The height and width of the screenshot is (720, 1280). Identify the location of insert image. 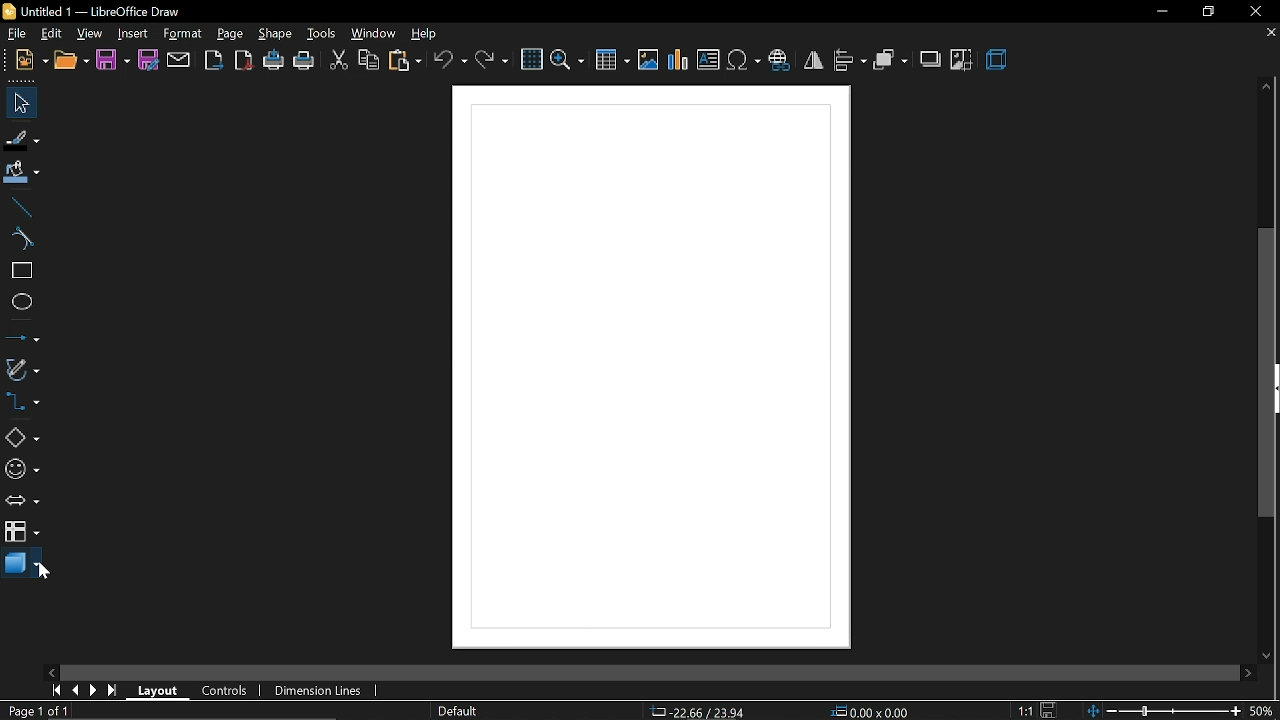
(648, 59).